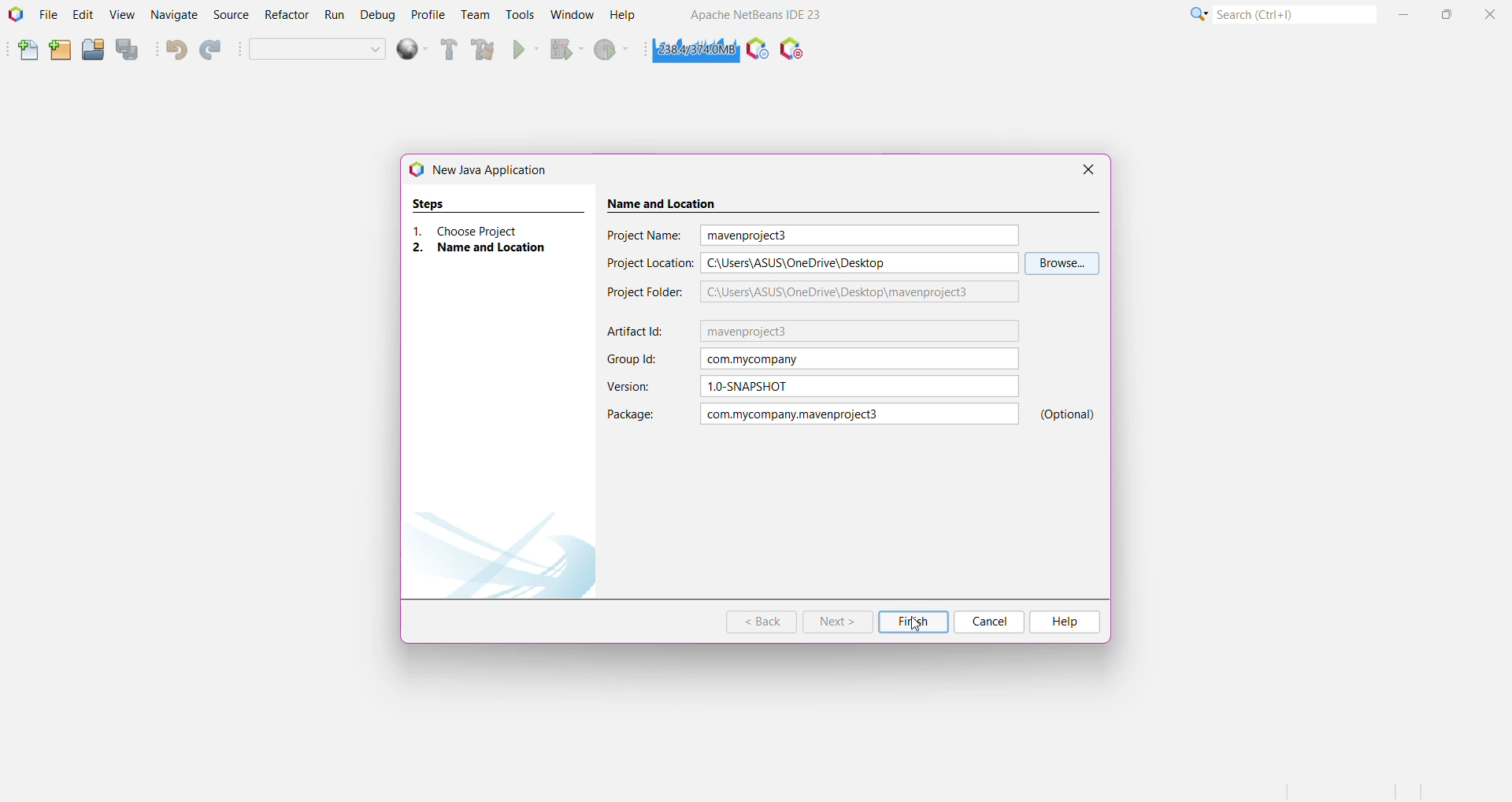 The width and height of the screenshot is (1512, 802). Describe the element at coordinates (176, 51) in the screenshot. I see `Undo` at that location.